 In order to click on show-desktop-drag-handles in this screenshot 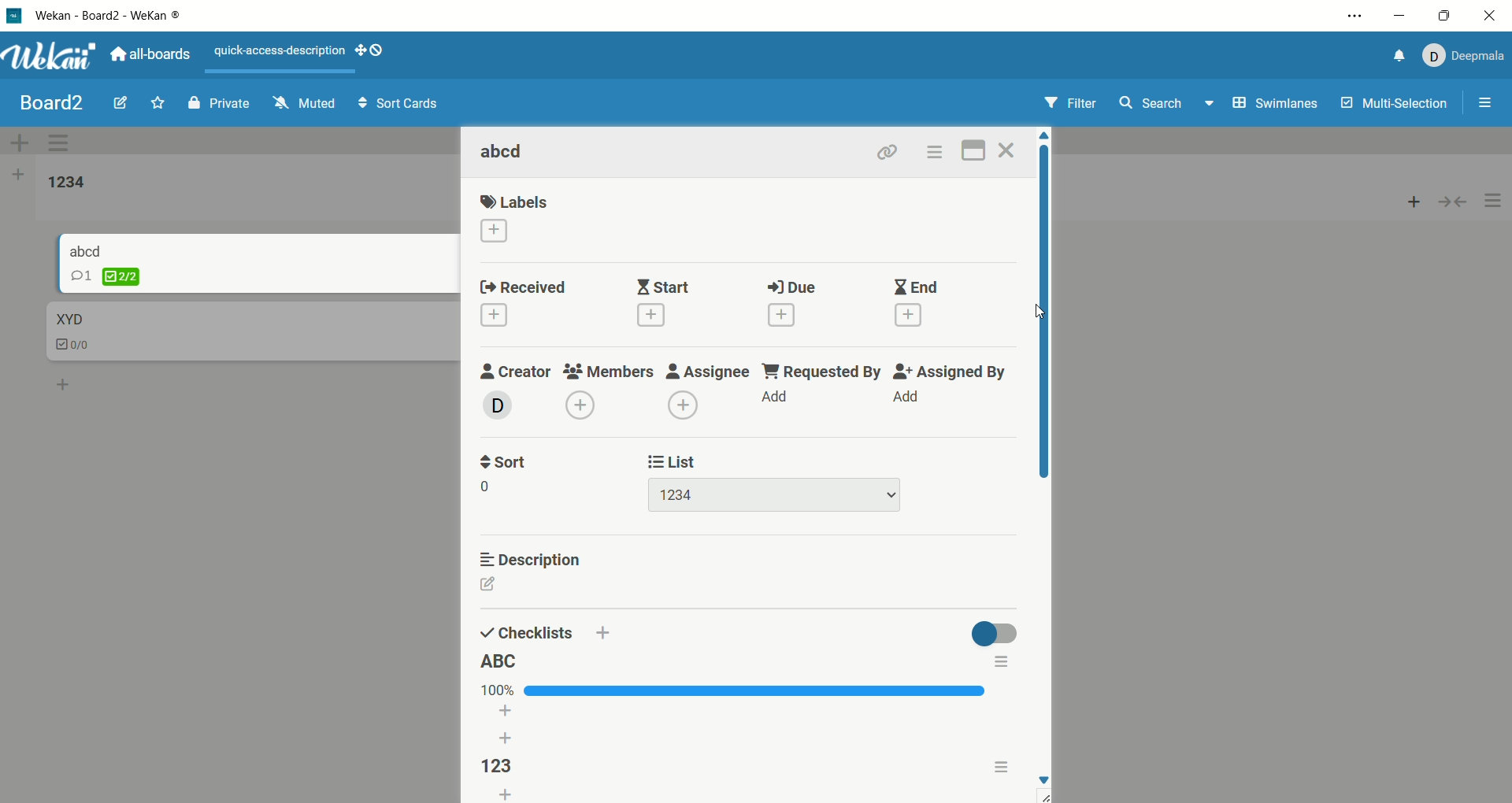, I will do `click(372, 50)`.